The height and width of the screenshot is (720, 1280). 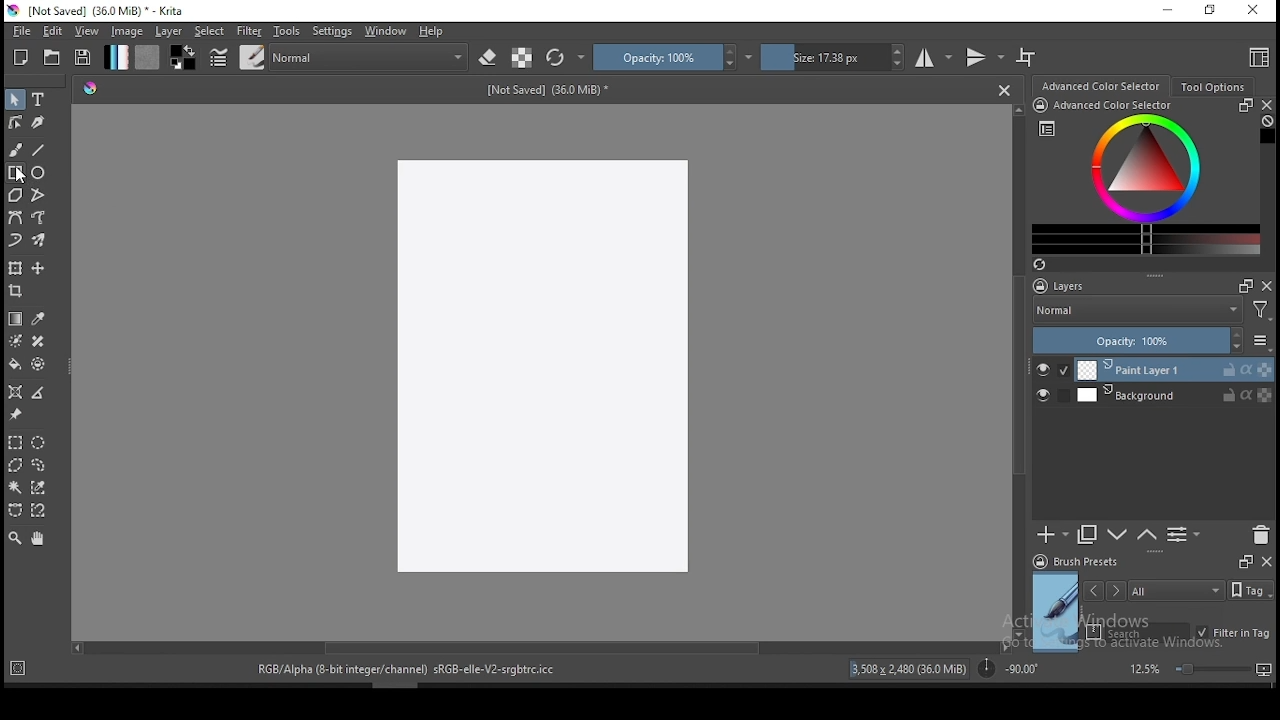 I want to click on help, so click(x=435, y=32).